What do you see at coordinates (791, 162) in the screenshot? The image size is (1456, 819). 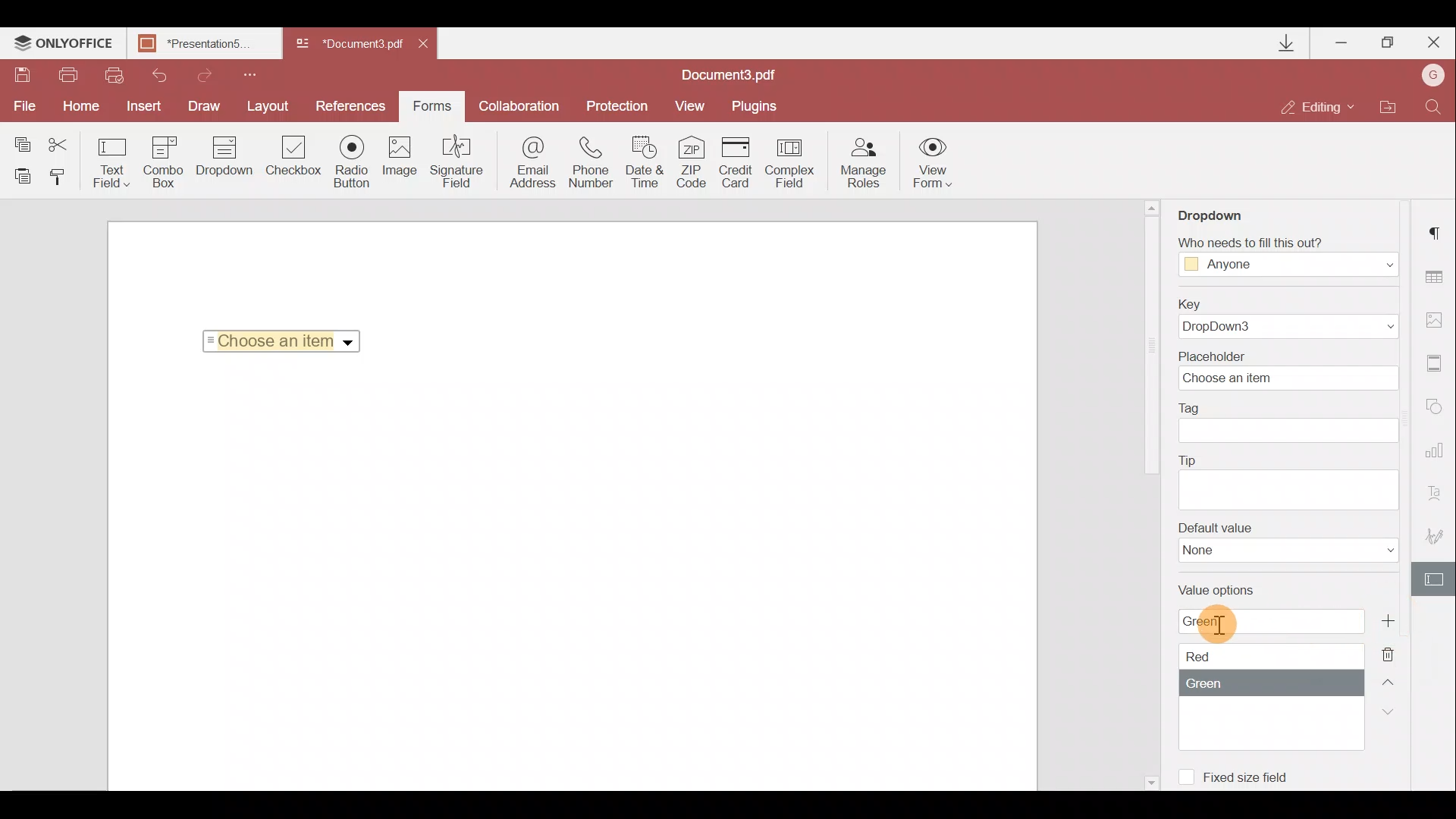 I see `Complex field` at bounding box center [791, 162].